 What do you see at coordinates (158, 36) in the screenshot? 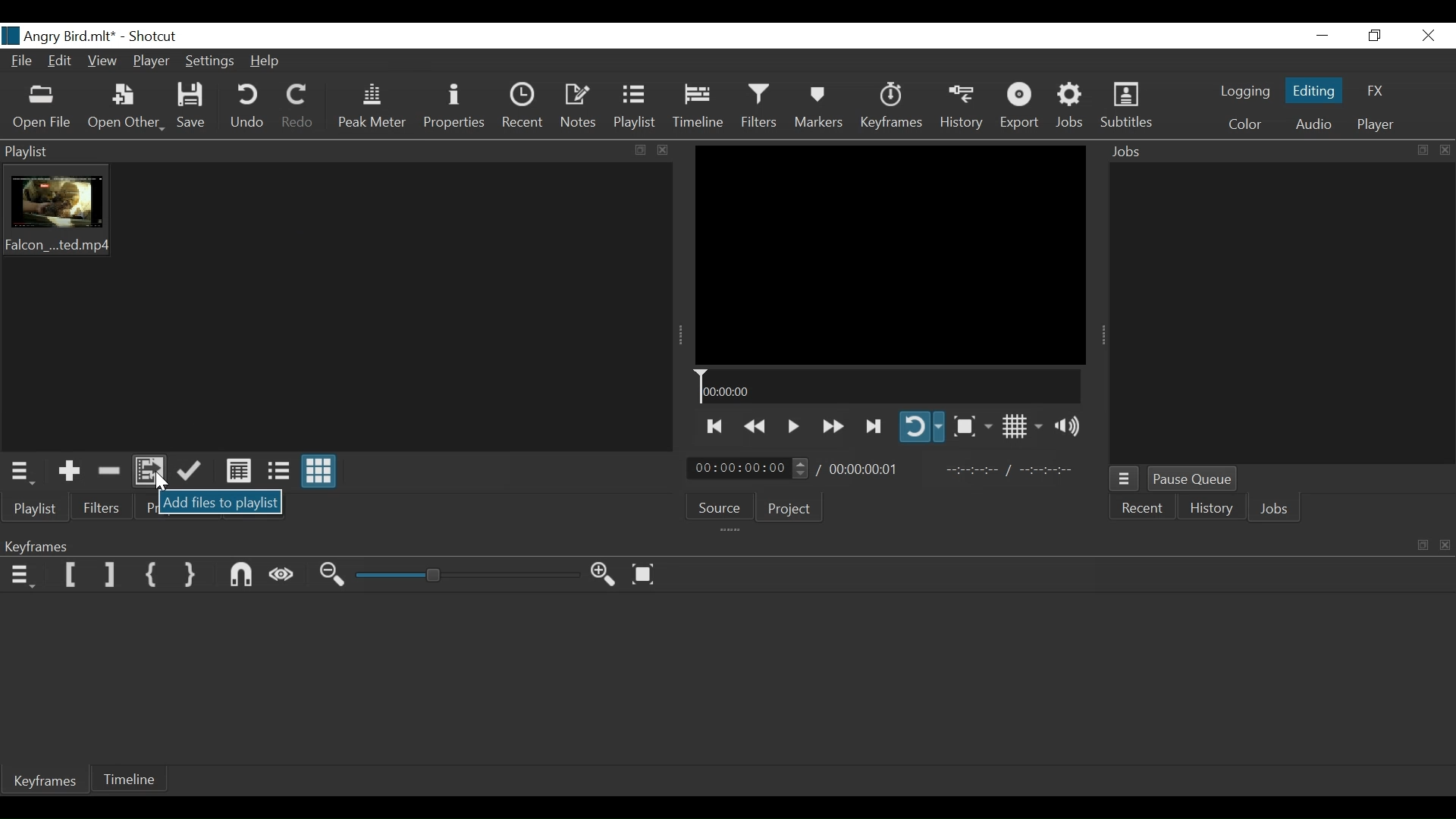
I see `Shotcut` at bounding box center [158, 36].